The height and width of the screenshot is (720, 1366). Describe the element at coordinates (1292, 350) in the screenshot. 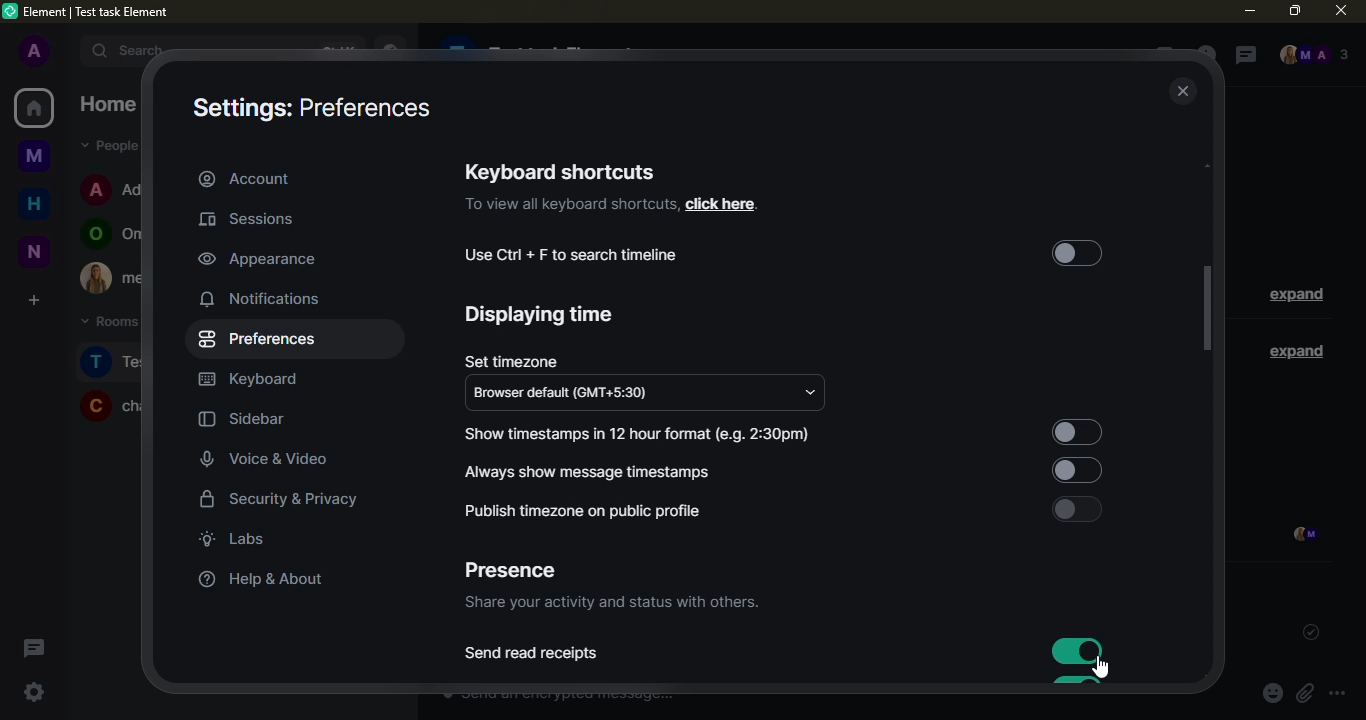

I see `expand` at that location.